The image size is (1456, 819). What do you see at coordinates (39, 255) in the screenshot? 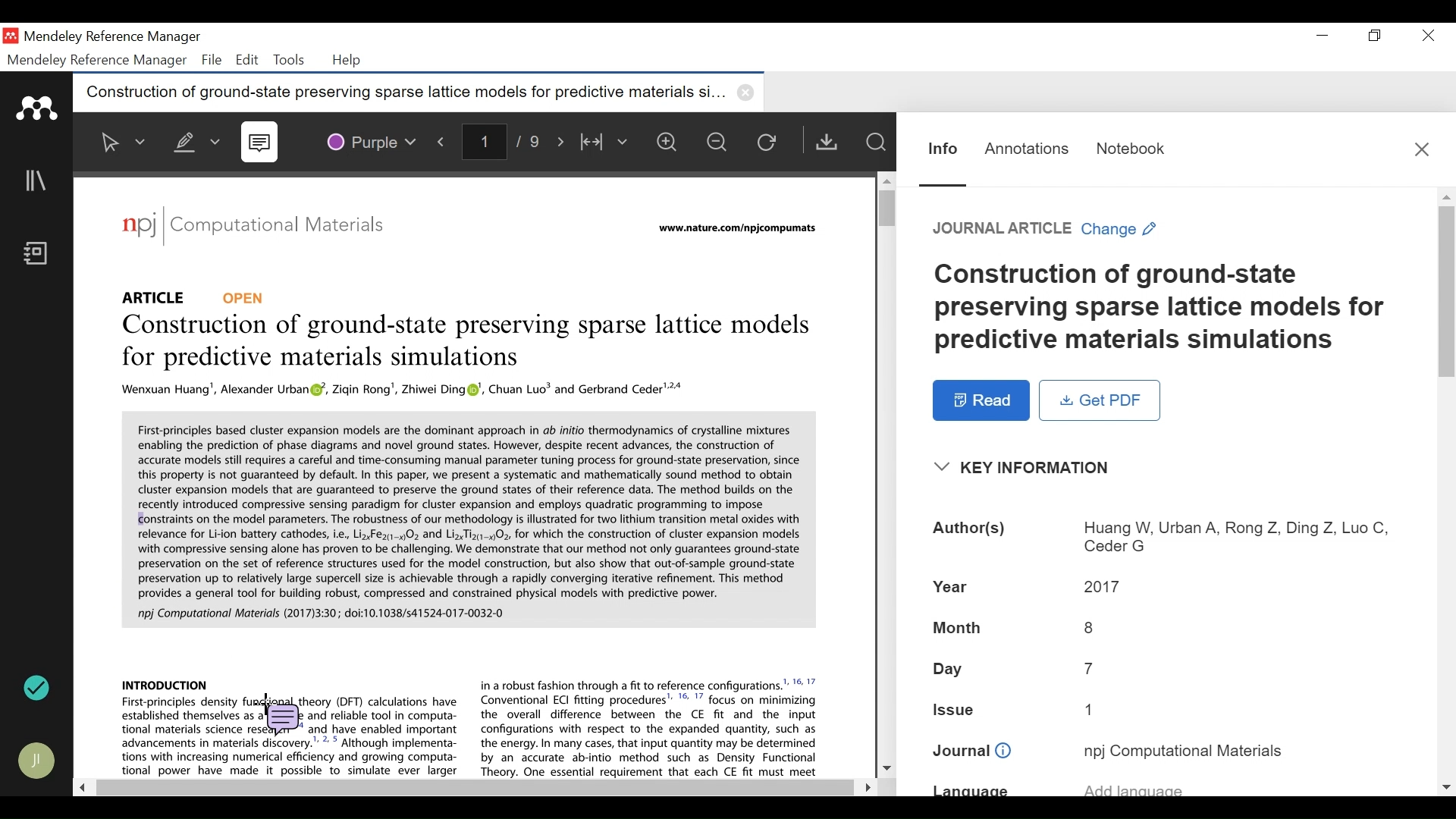
I see `Notebook` at bounding box center [39, 255].